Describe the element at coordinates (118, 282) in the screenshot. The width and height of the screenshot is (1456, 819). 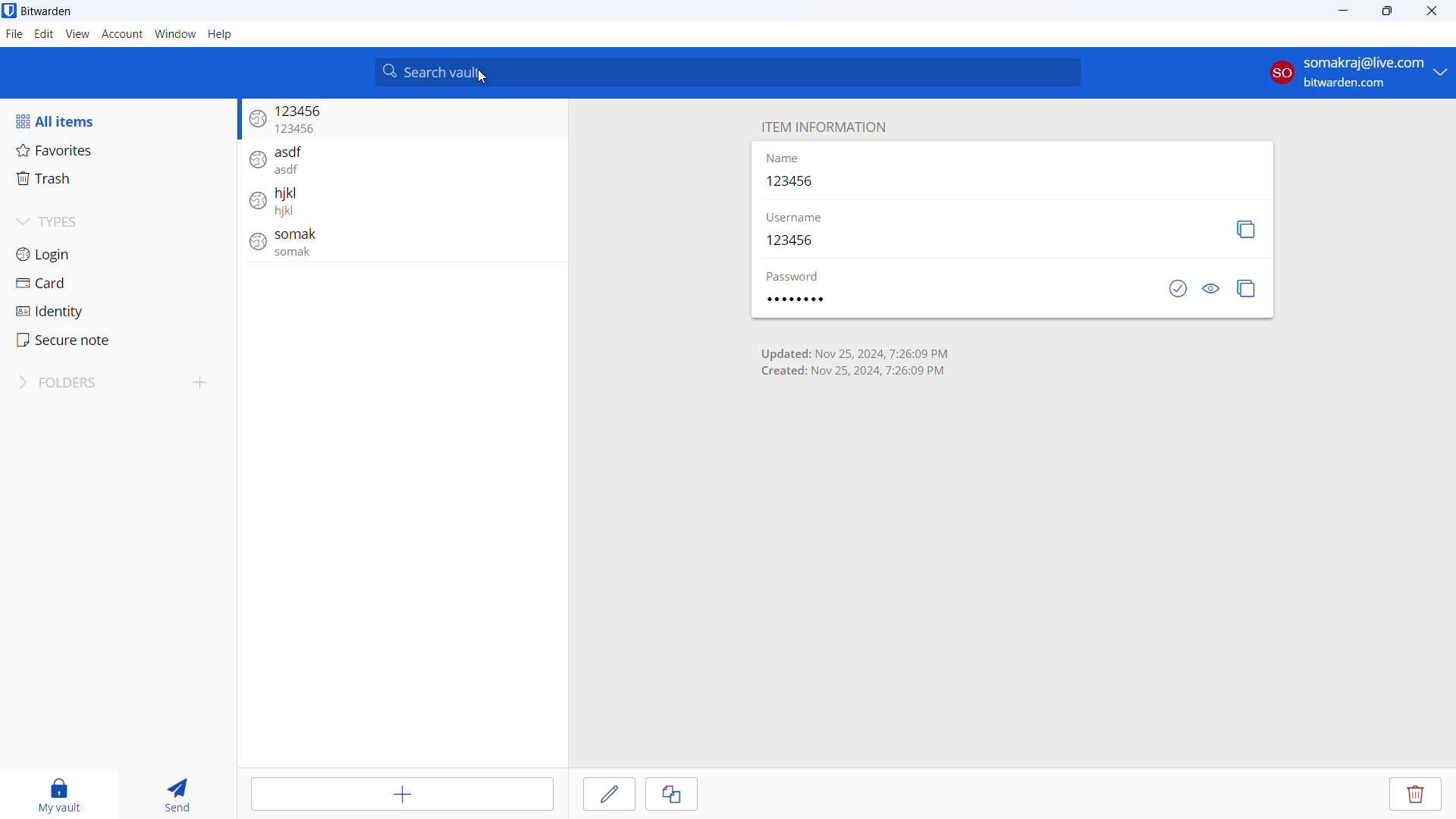
I see `card` at that location.